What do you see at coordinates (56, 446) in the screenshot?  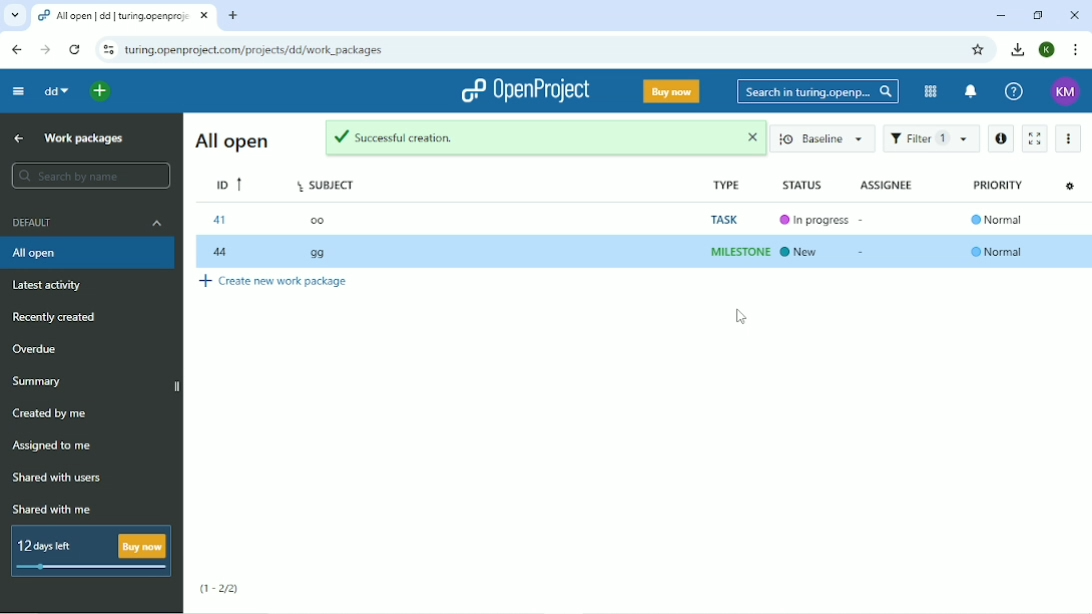 I see `Assigned to me` at bounding box center [56, 446].